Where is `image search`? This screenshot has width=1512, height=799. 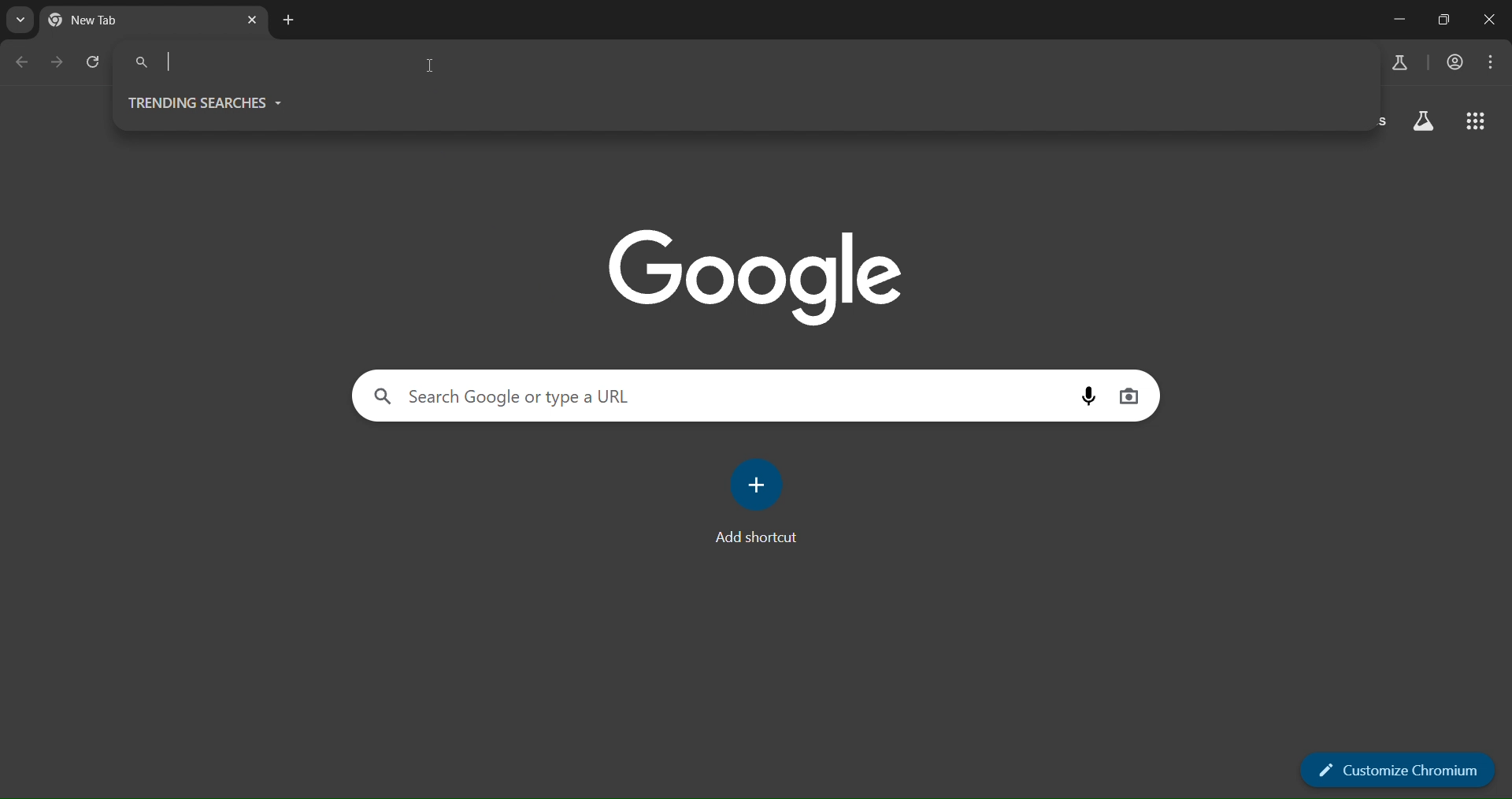
image search is located at coordinates (1129, 396).